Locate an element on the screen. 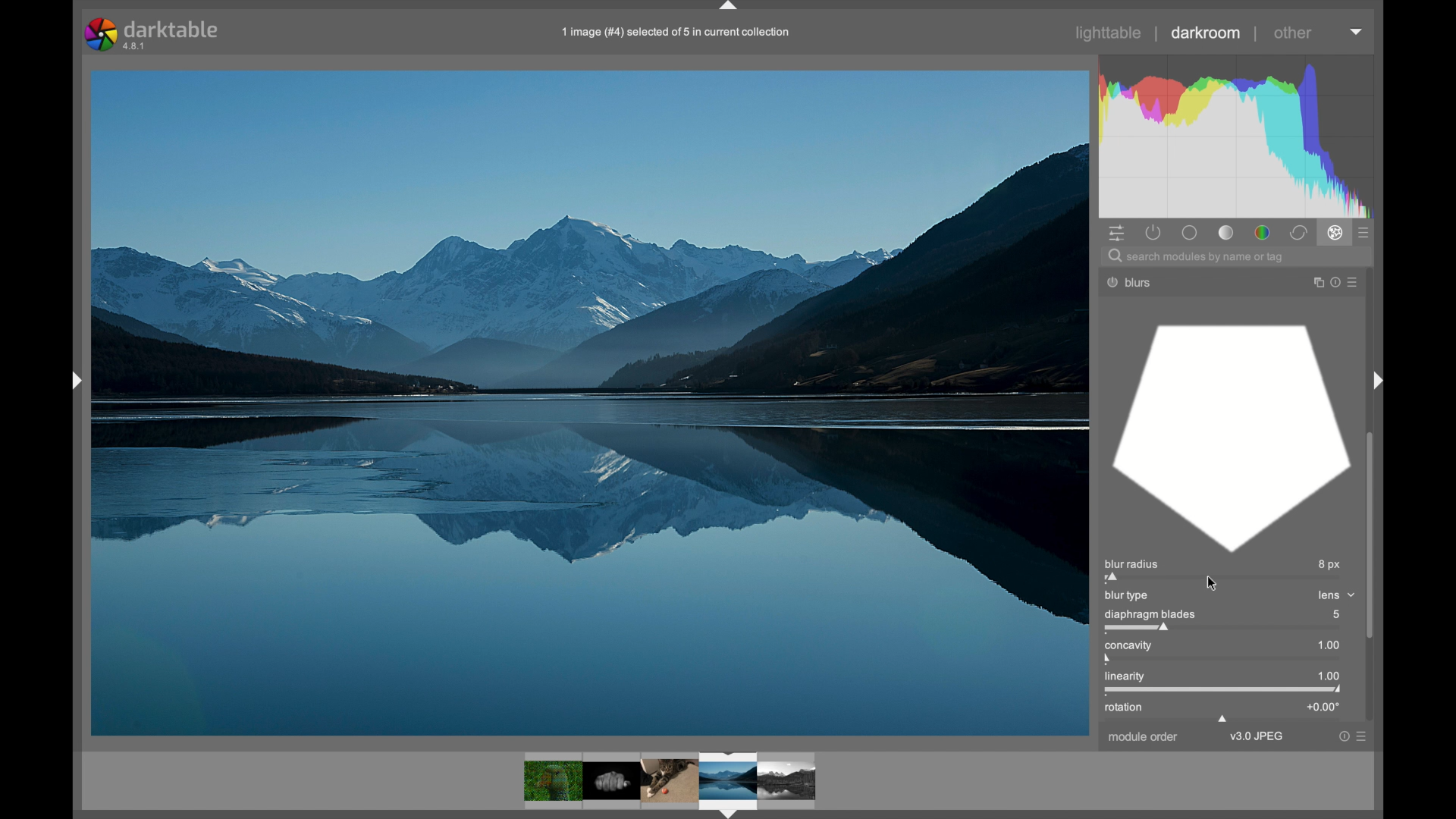 This screenshot has height=819, width=1456. blurs is located at coordinates (1144, 282).